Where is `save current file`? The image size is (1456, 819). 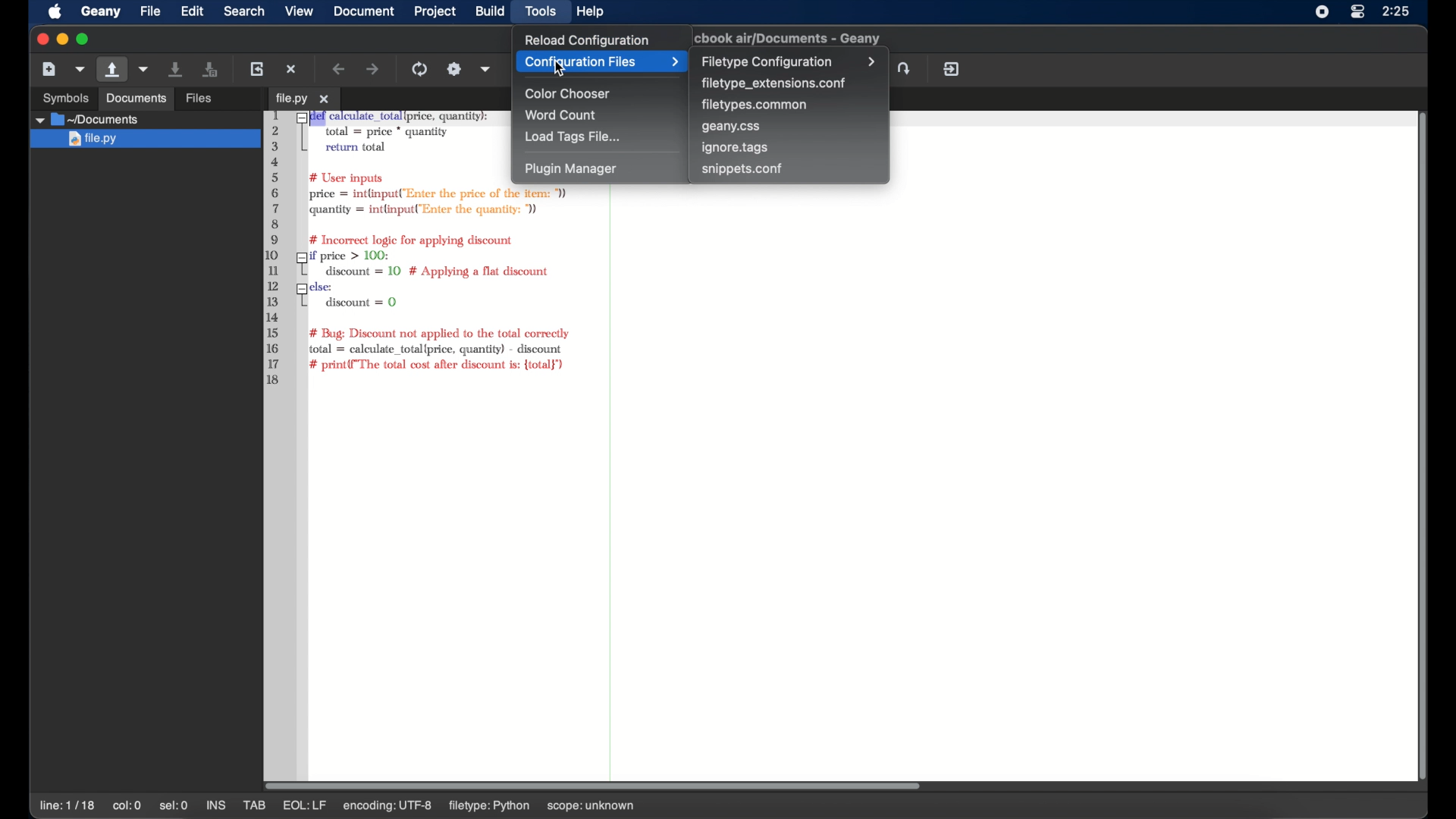
save current file is located at coordinates (177, 68).